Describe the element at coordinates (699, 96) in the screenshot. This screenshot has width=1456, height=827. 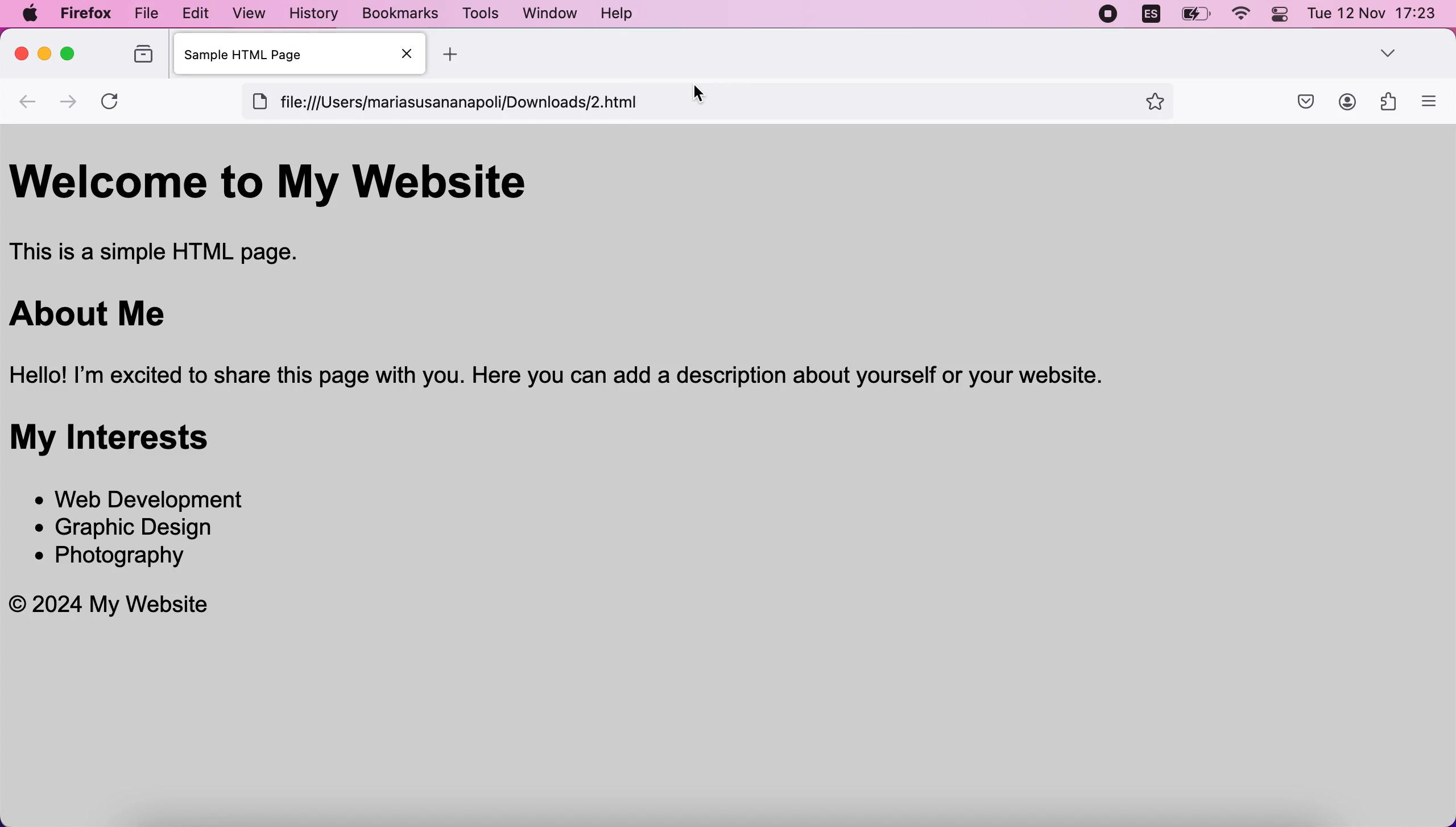
I see `cursor` at that location.